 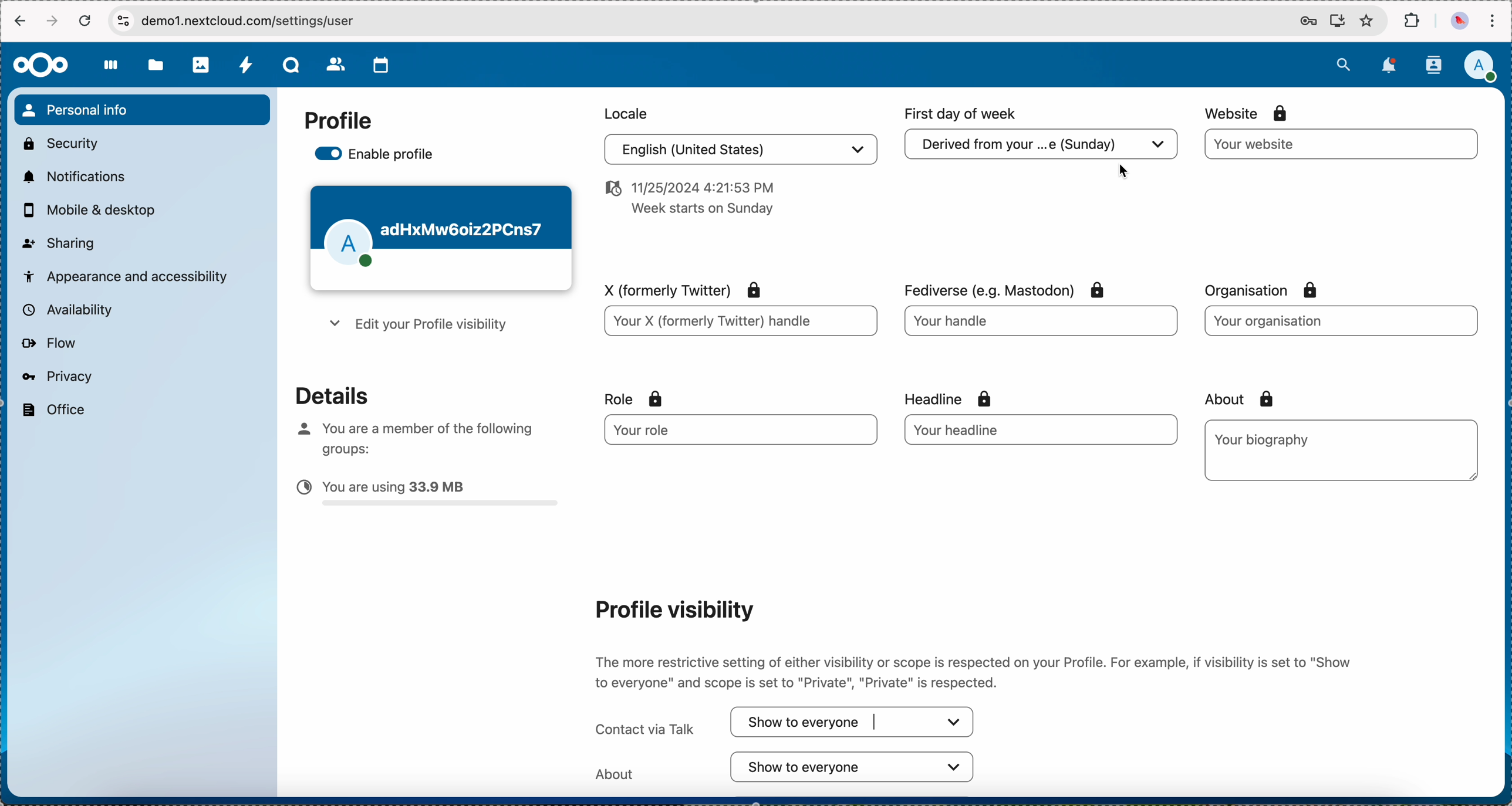 I want to click on derived from your, so click(x=1038, y=148).